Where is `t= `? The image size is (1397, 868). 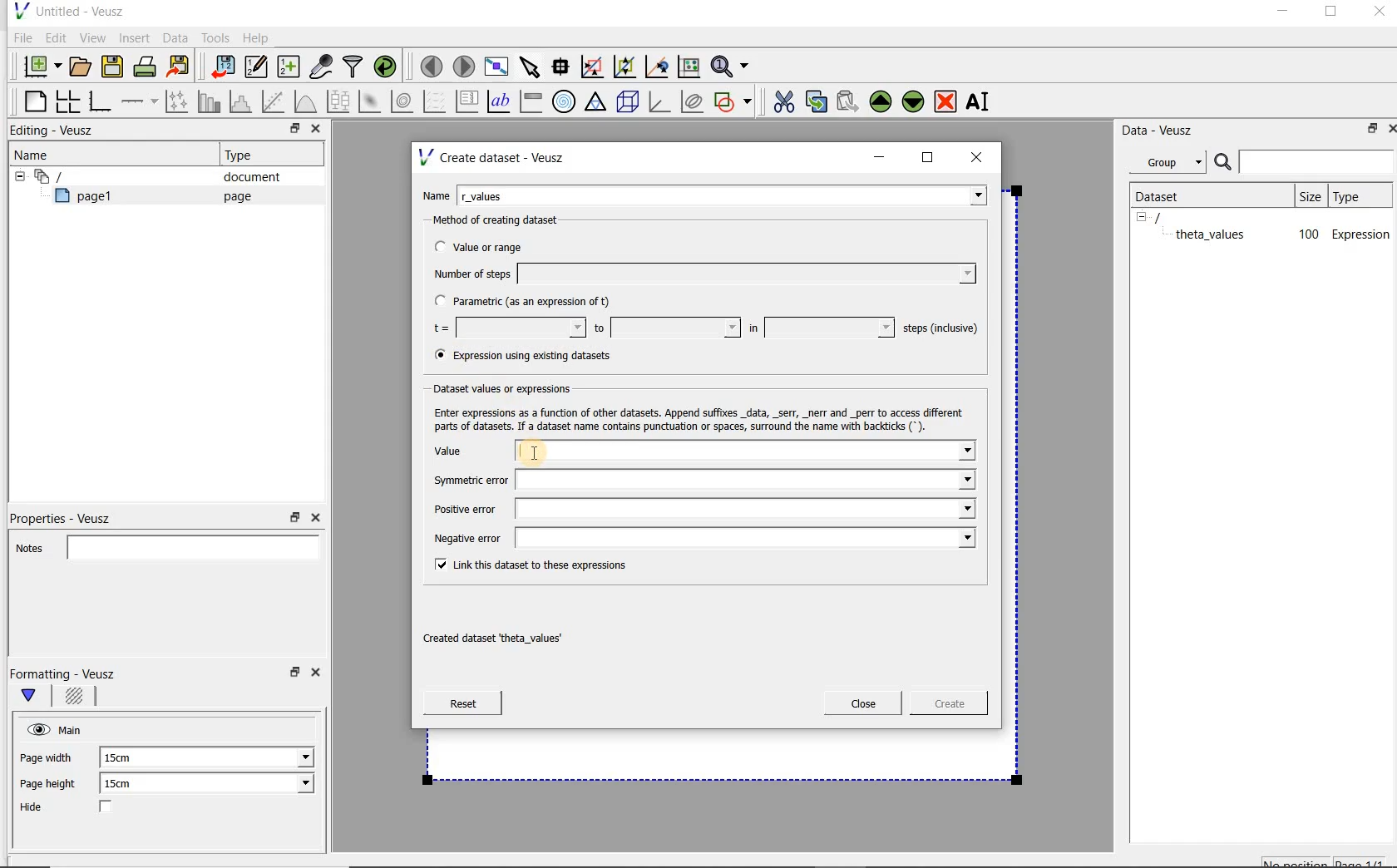
t=  is located at coordinates (506, 328).